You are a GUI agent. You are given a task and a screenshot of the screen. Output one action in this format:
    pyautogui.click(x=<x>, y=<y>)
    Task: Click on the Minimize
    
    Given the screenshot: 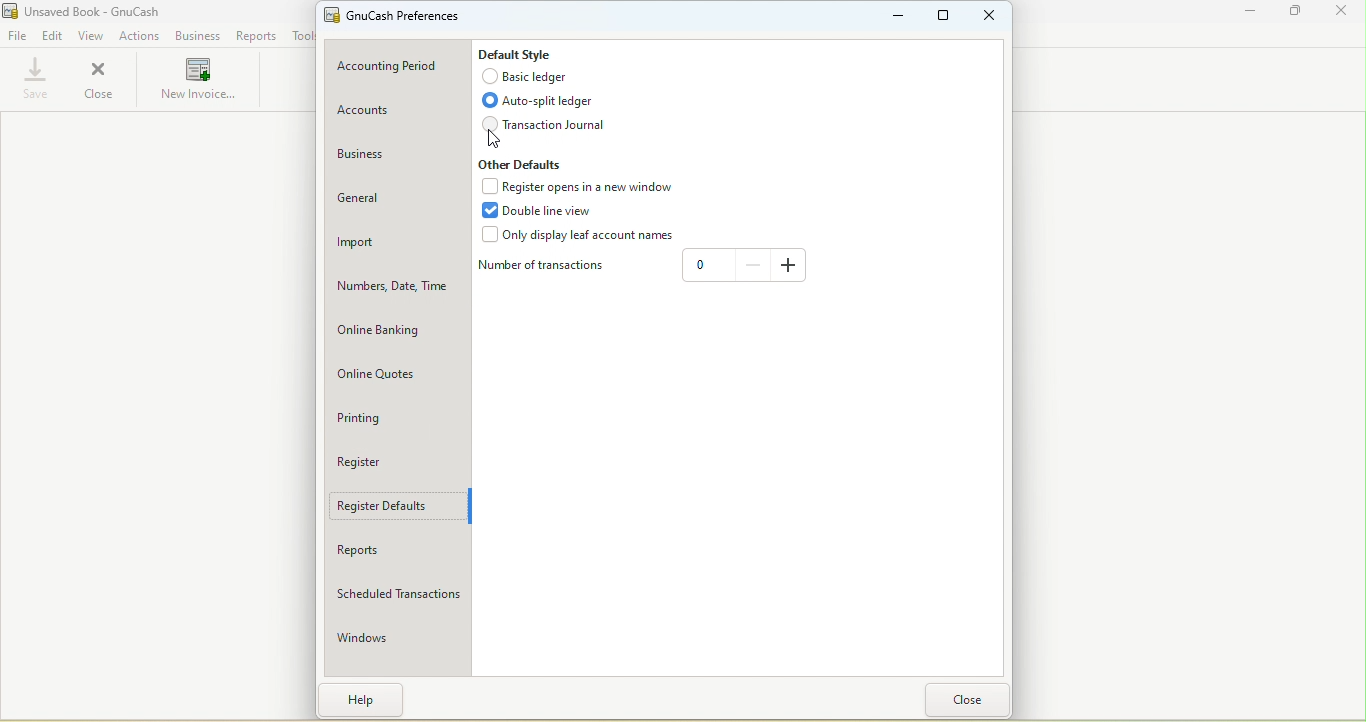 What is the action you would take?
    pyautogui.click(x=1250, y=14)
    